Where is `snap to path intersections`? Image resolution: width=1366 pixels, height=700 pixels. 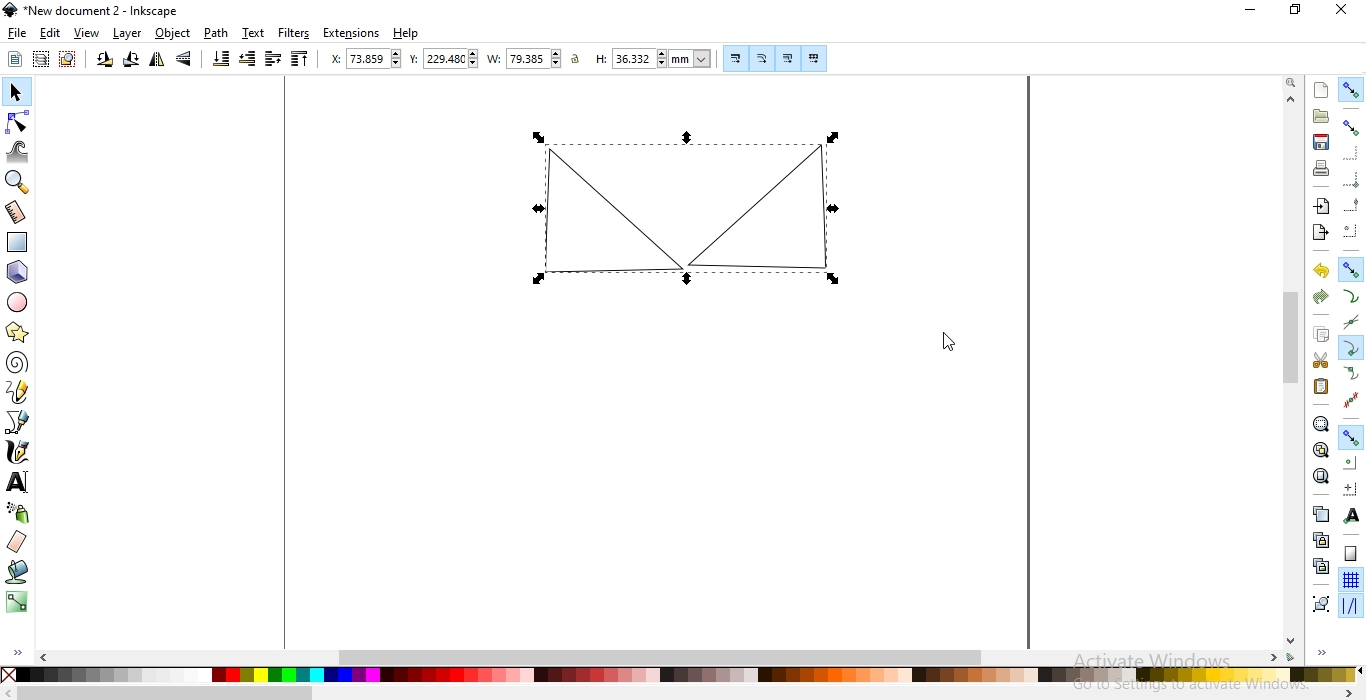 snap to path intersections is located at coordinates (1350, 319).